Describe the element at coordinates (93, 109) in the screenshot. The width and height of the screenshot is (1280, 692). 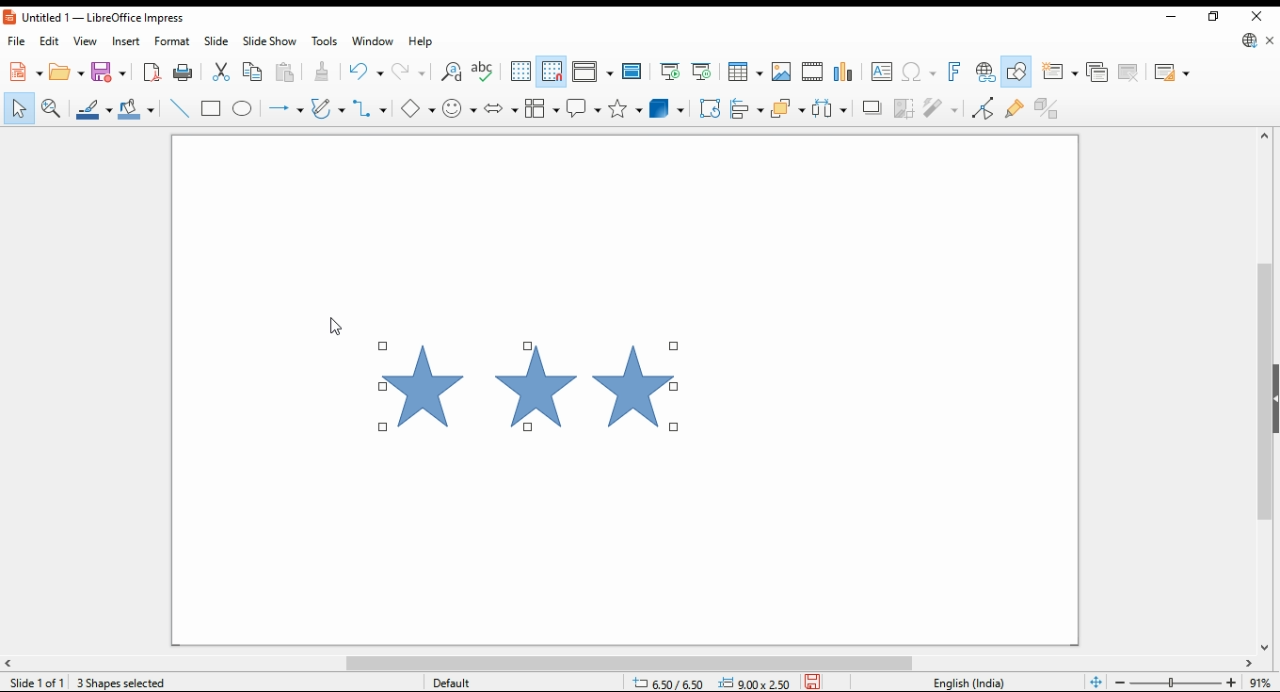
I see `line color` at that location.